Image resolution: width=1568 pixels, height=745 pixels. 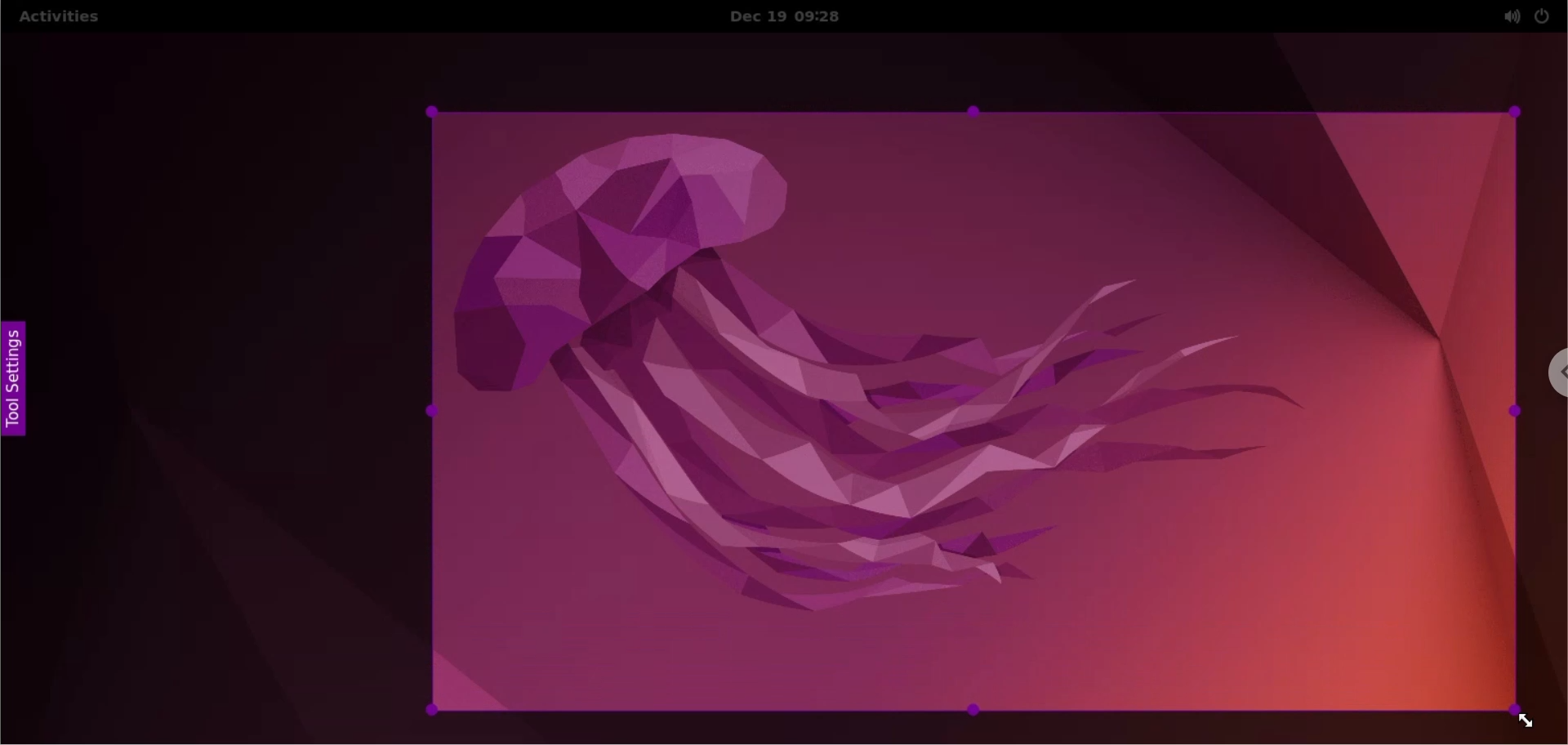 I want to click on cursor, so click(x=1517, y=717).